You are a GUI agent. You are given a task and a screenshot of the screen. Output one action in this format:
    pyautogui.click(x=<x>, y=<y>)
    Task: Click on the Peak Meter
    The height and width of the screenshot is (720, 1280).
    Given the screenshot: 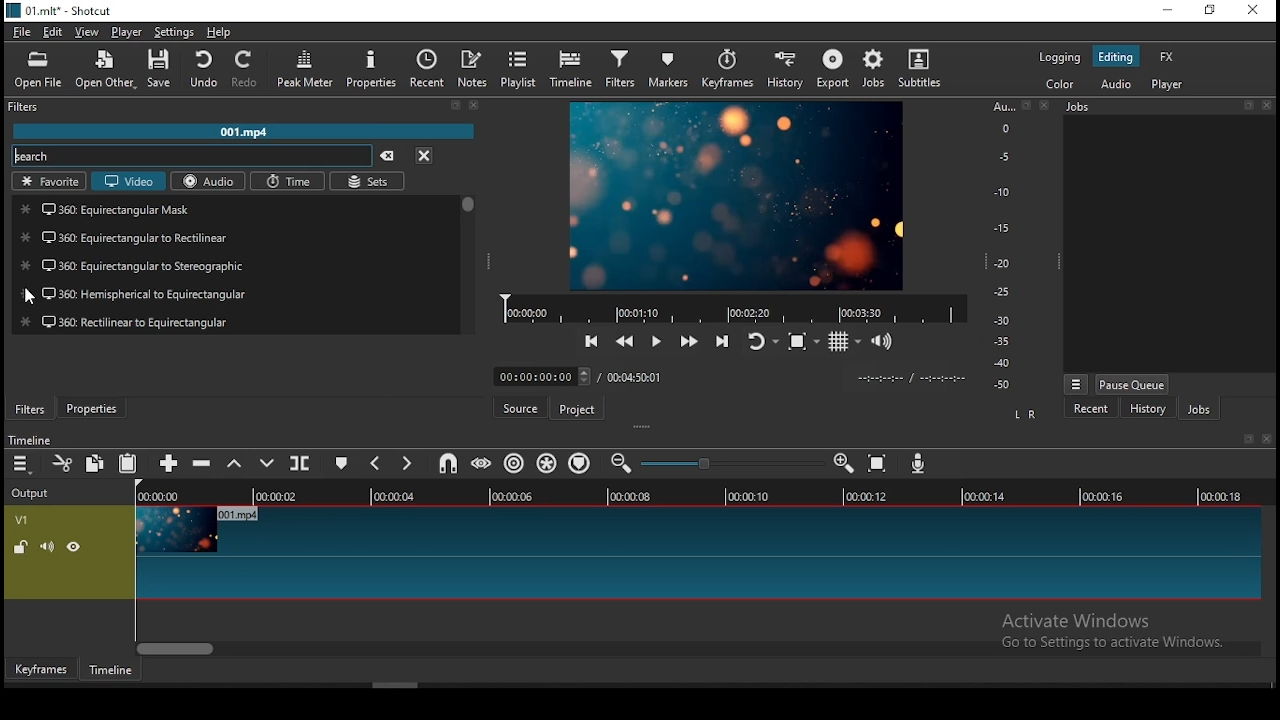 What is the action you would take?
    pyautogui.click(x=307, y=66)
    